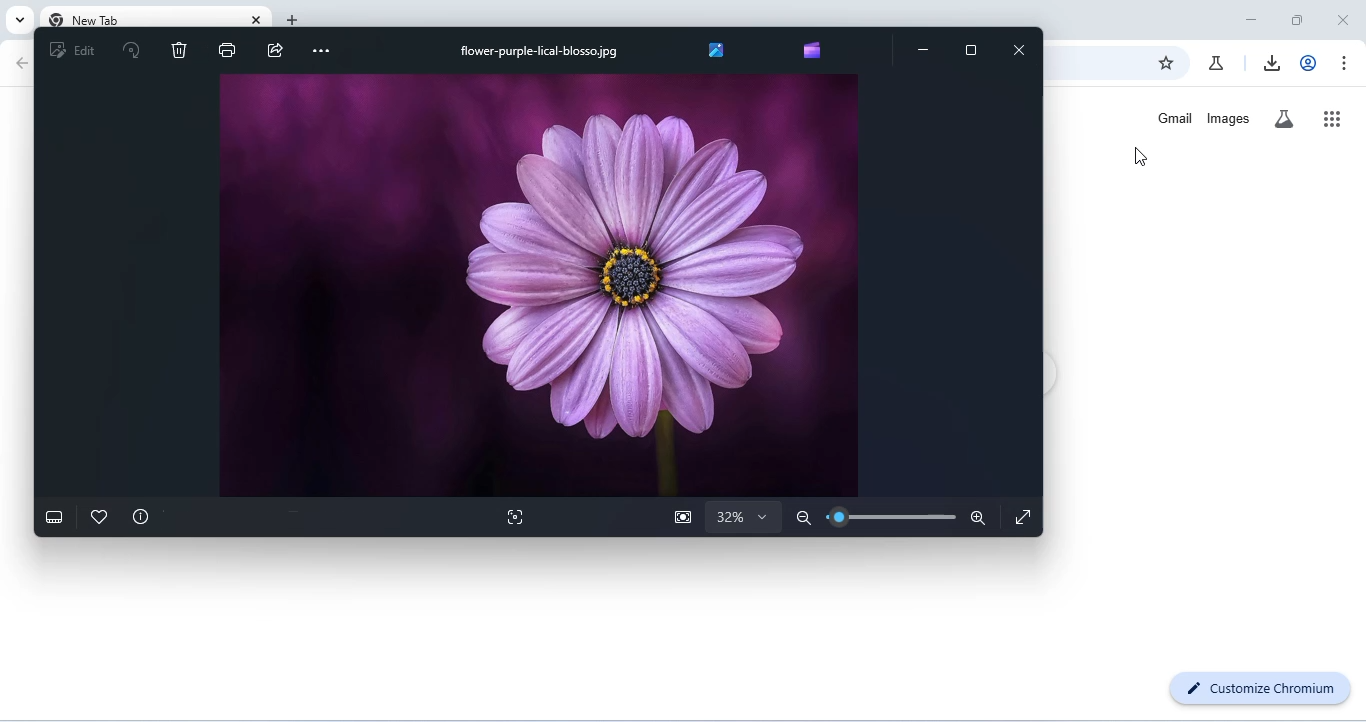 The height and width of the screenshot is (722, 1366). What do you see at coordinates (1175, 118) in the screenshot?
I see `gmail` at bounding box center [1175, 118].